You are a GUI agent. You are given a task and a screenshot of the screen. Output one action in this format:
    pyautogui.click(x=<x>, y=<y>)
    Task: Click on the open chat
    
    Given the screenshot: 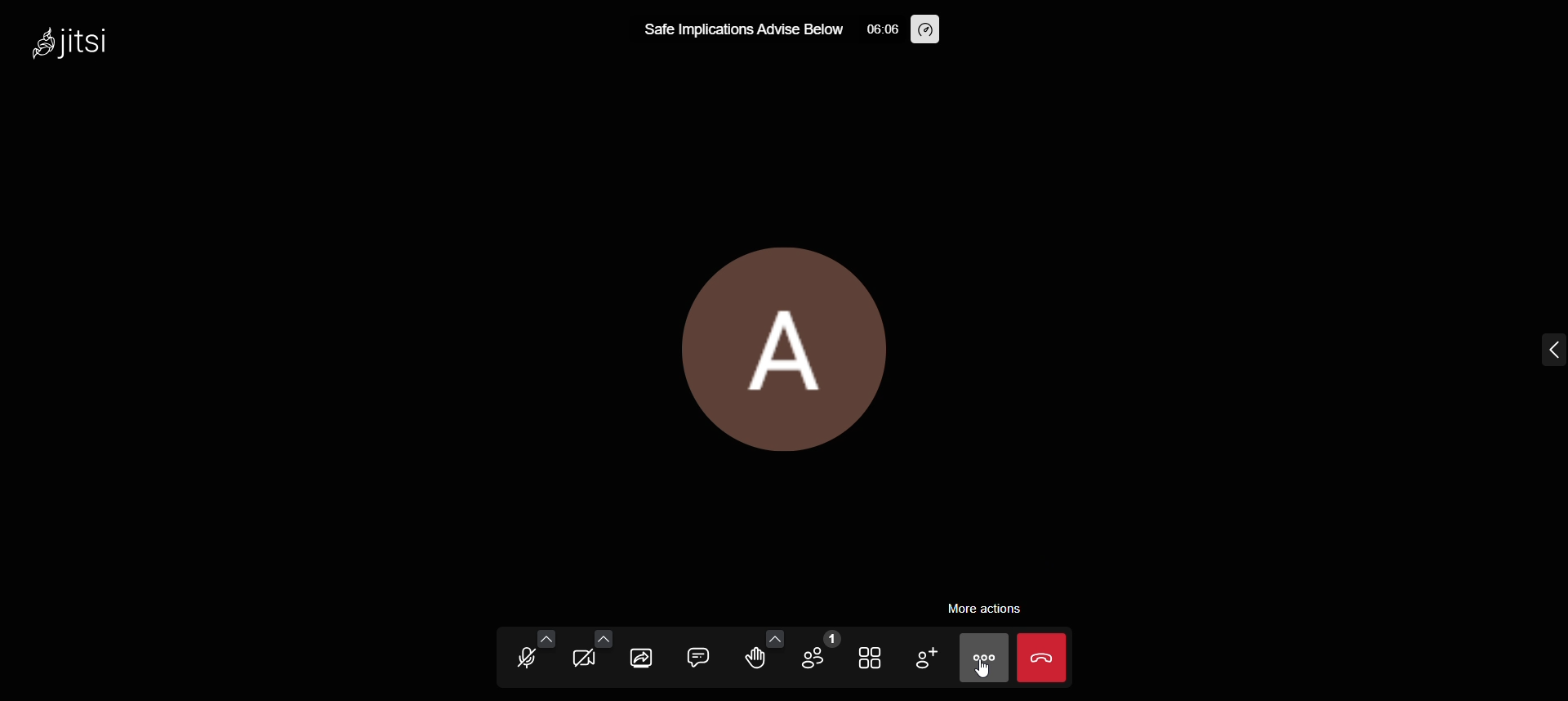 What is the action you would take?
    pyautogui.click(x=697, y=655)
    